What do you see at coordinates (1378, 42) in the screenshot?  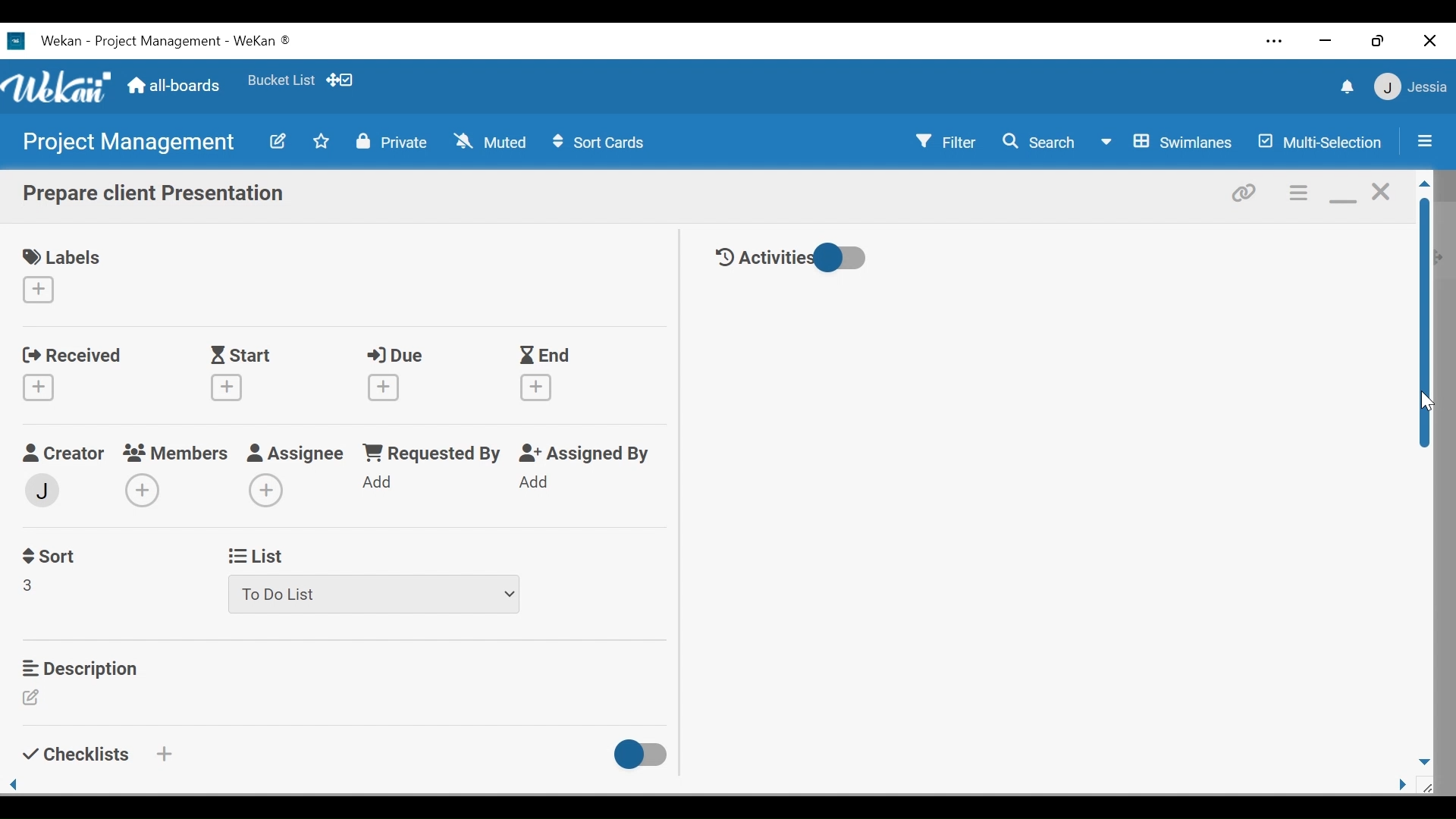 I see `restore` at bounding box center [1378, 42].